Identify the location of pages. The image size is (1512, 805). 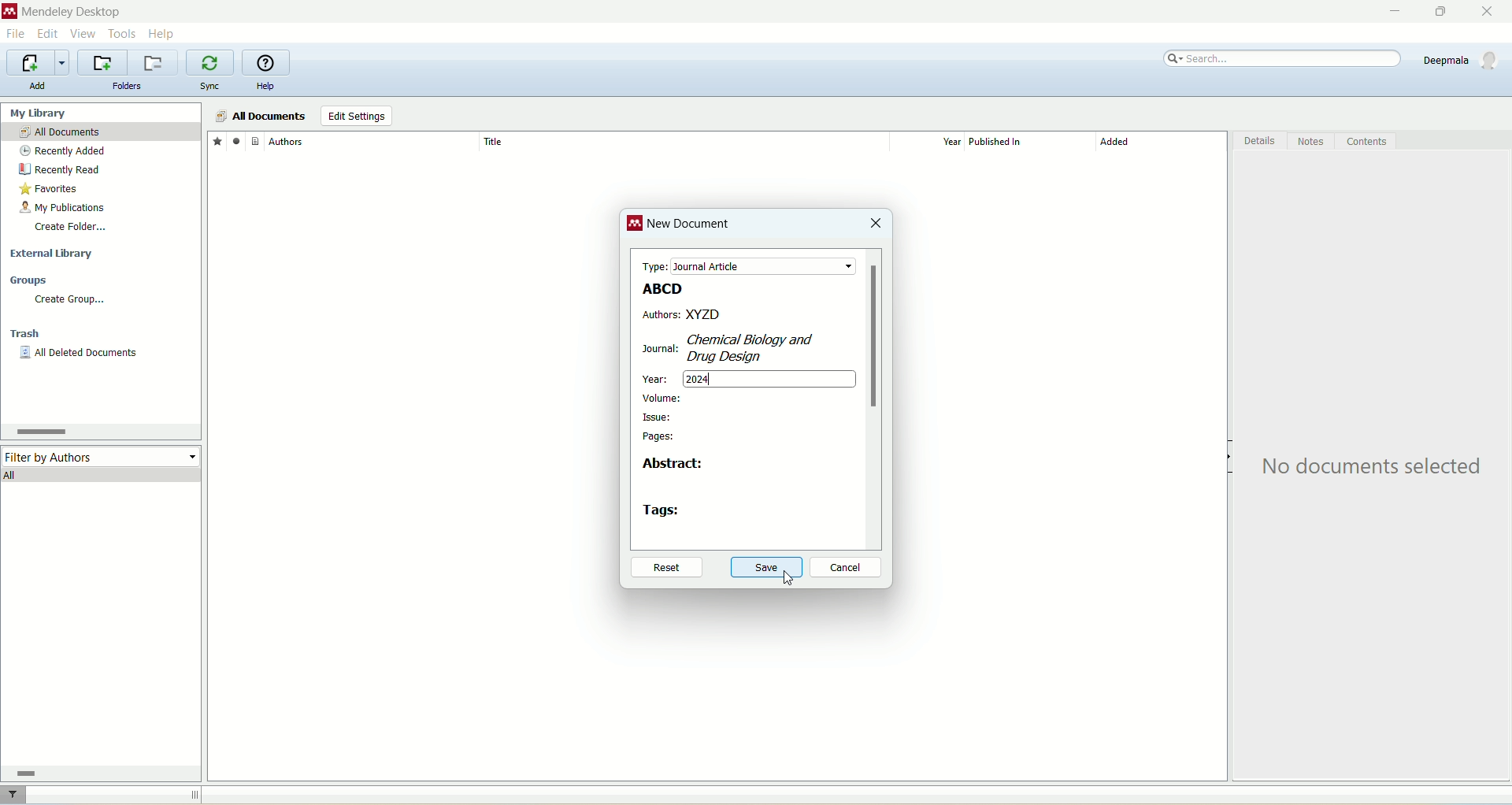
(659, 438).